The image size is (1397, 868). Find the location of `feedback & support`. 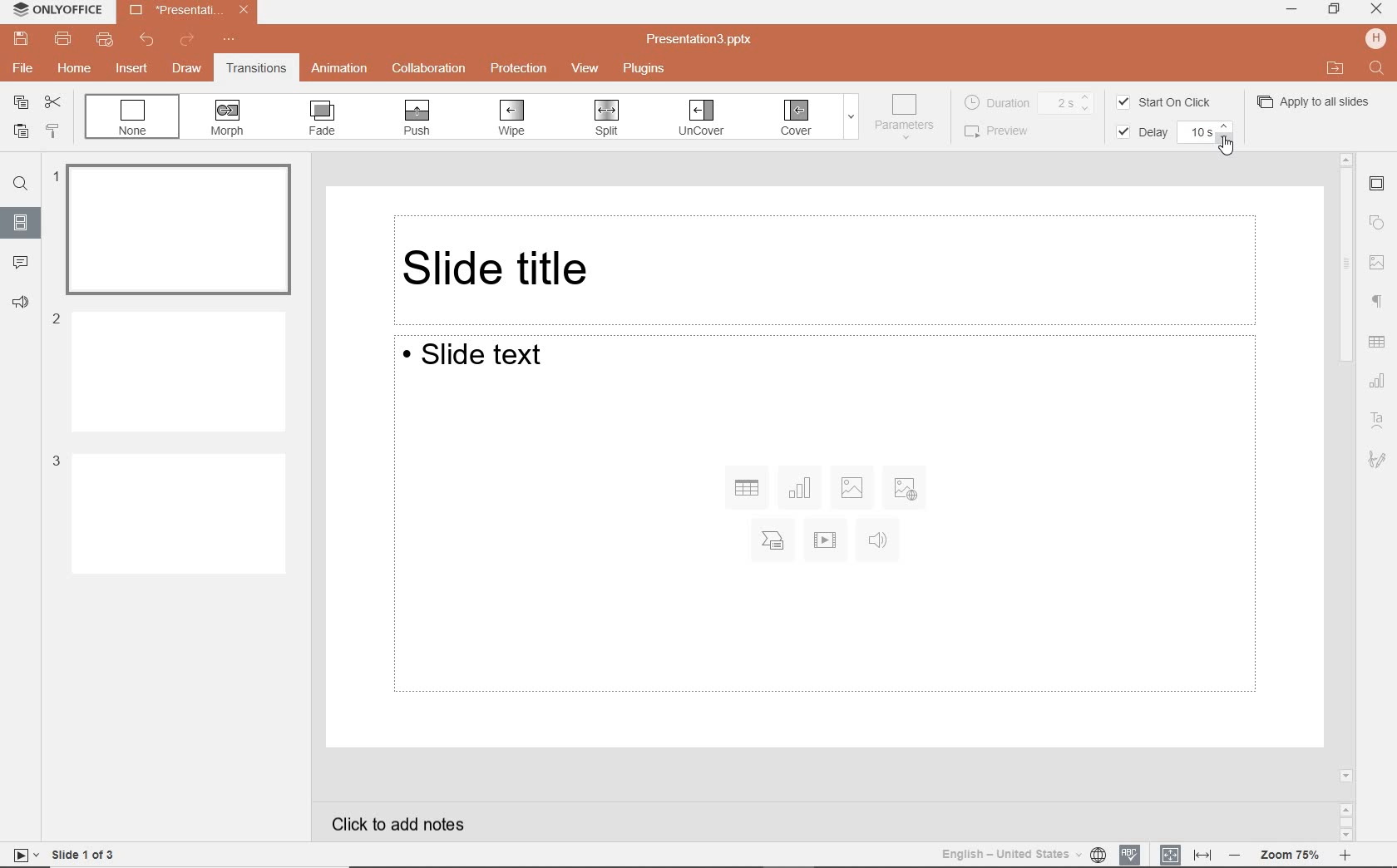

feedback & support is located at coordinates (23, 306).